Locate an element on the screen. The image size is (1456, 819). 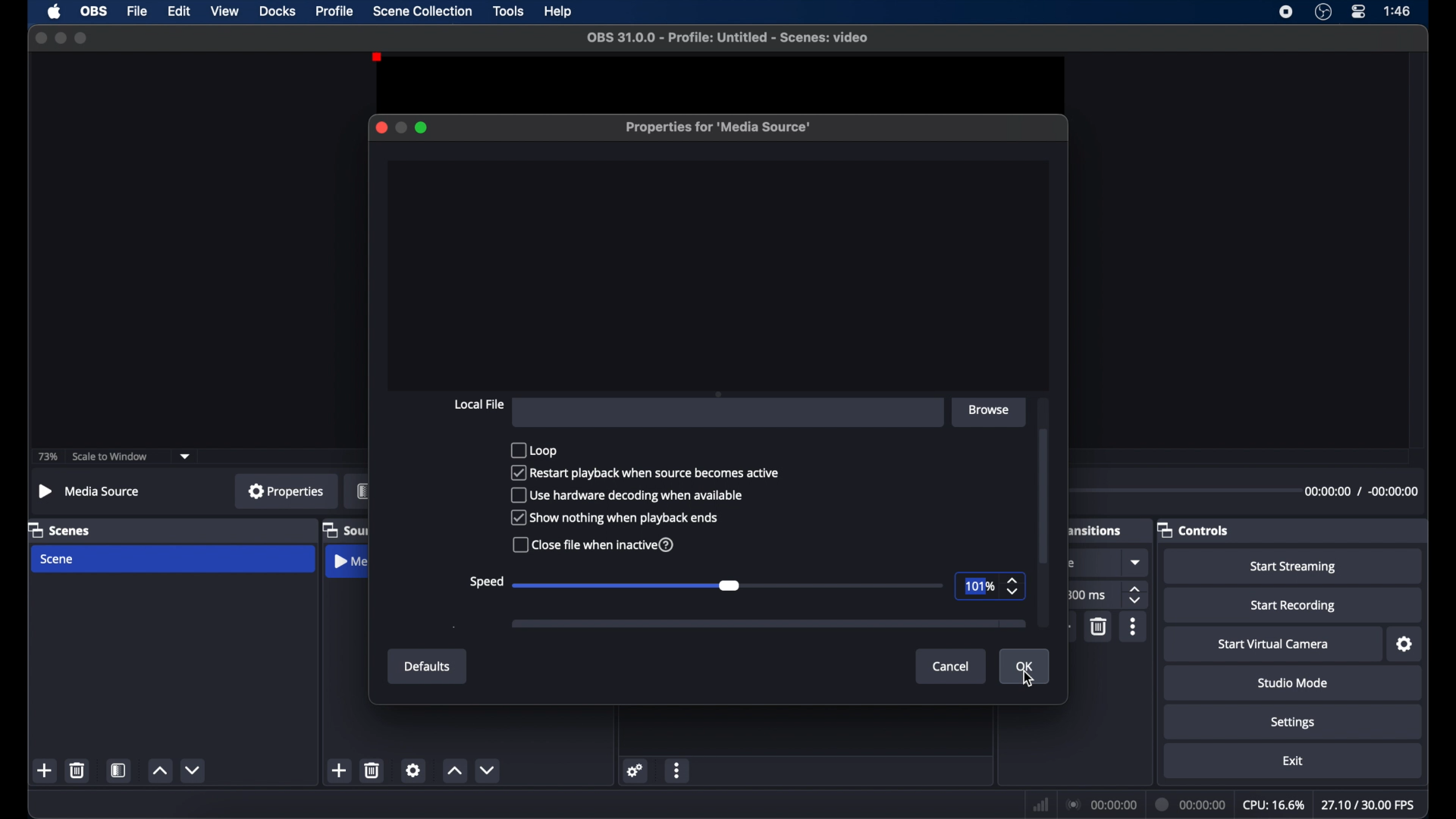
minimize is located at coordinates (400, 127).